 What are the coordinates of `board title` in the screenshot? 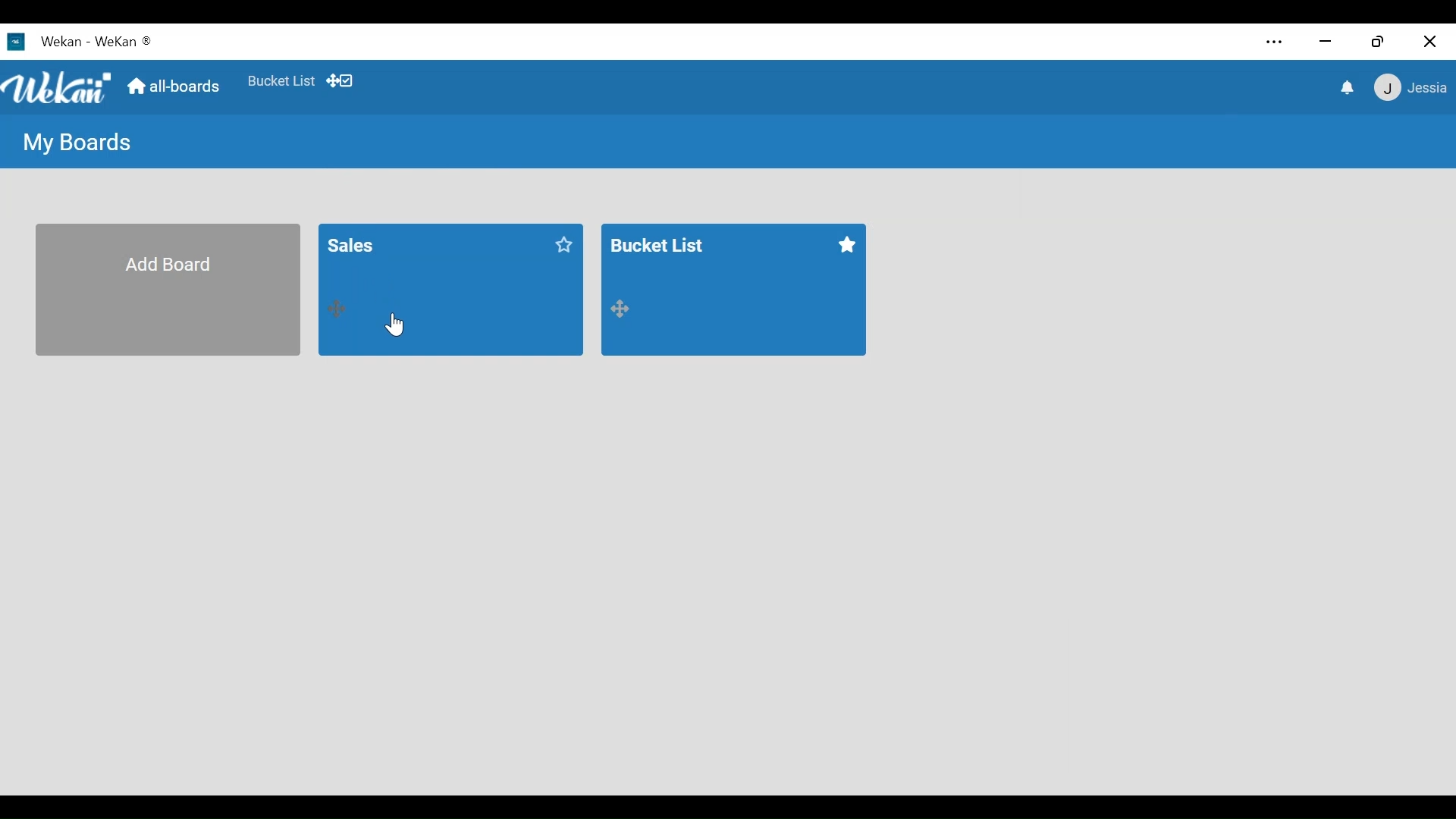 It's located at (394, 243).